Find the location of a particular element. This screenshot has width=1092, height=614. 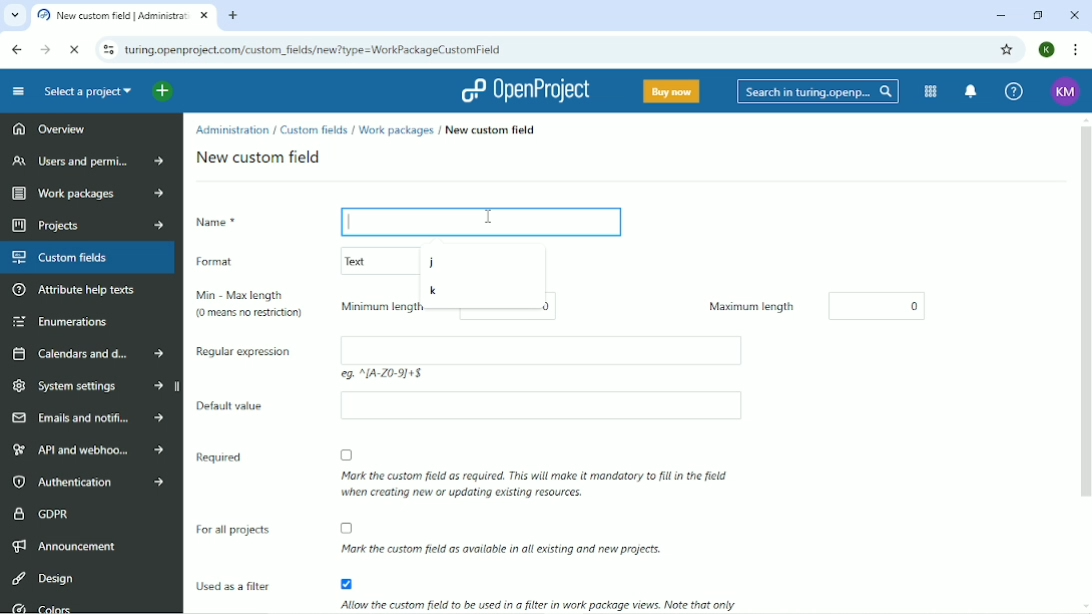

Users and permissions is located at coordinates (88, 161).